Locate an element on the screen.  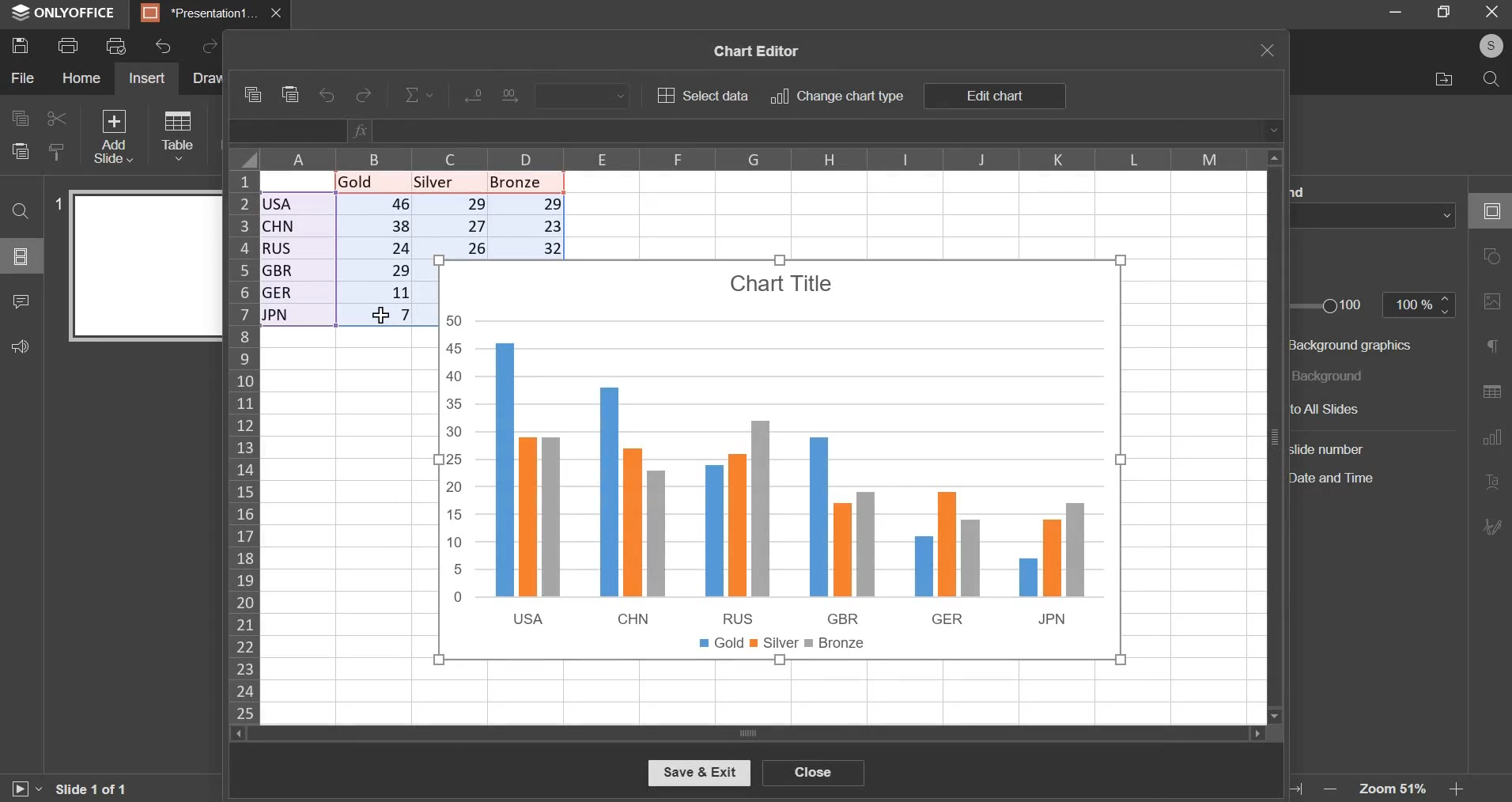
silver is located at coordinates (444, 181).